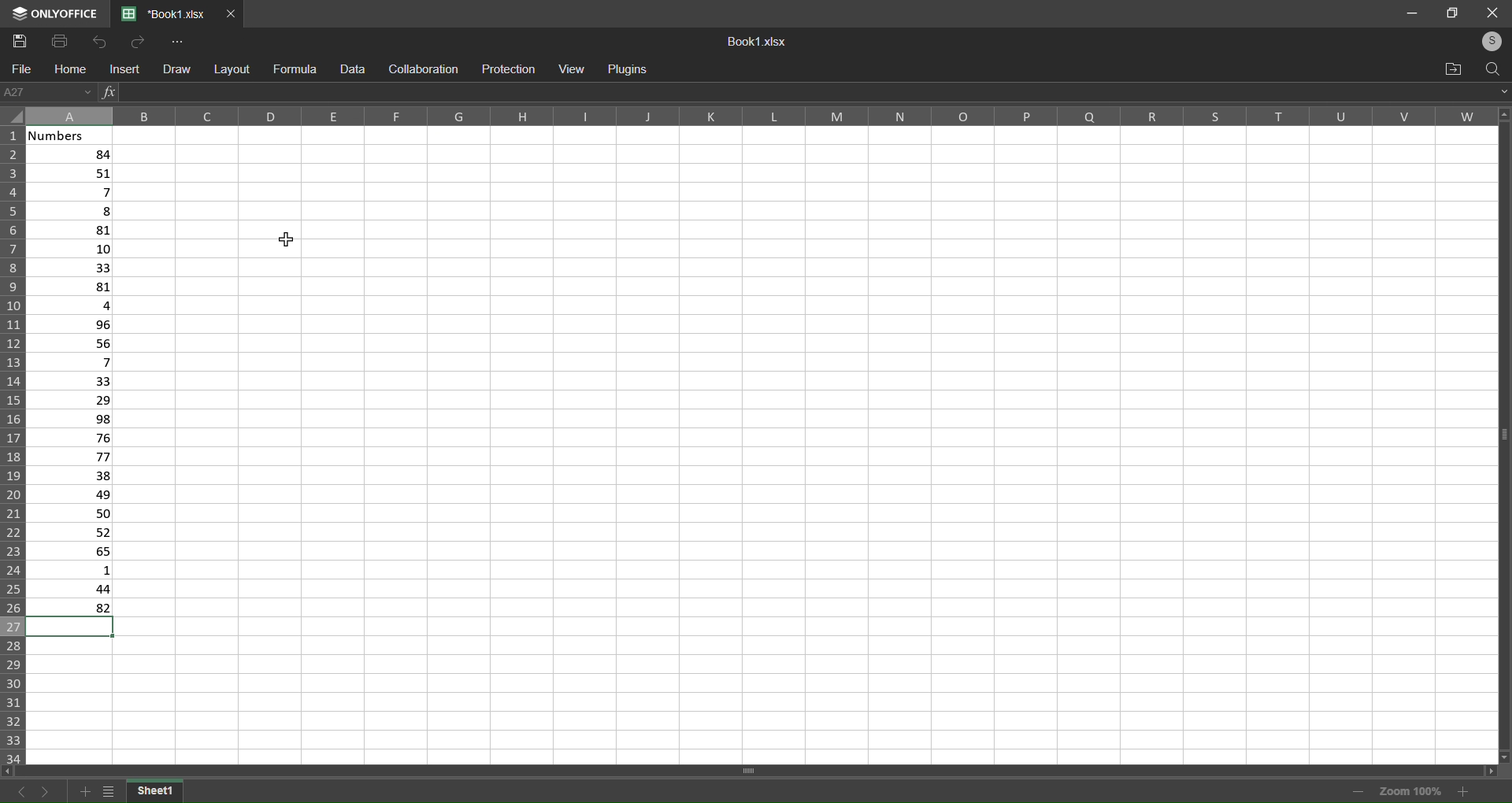  Describe the element at coordinates (110, 790) in the screenshot. I see `list of sheet` at that location.